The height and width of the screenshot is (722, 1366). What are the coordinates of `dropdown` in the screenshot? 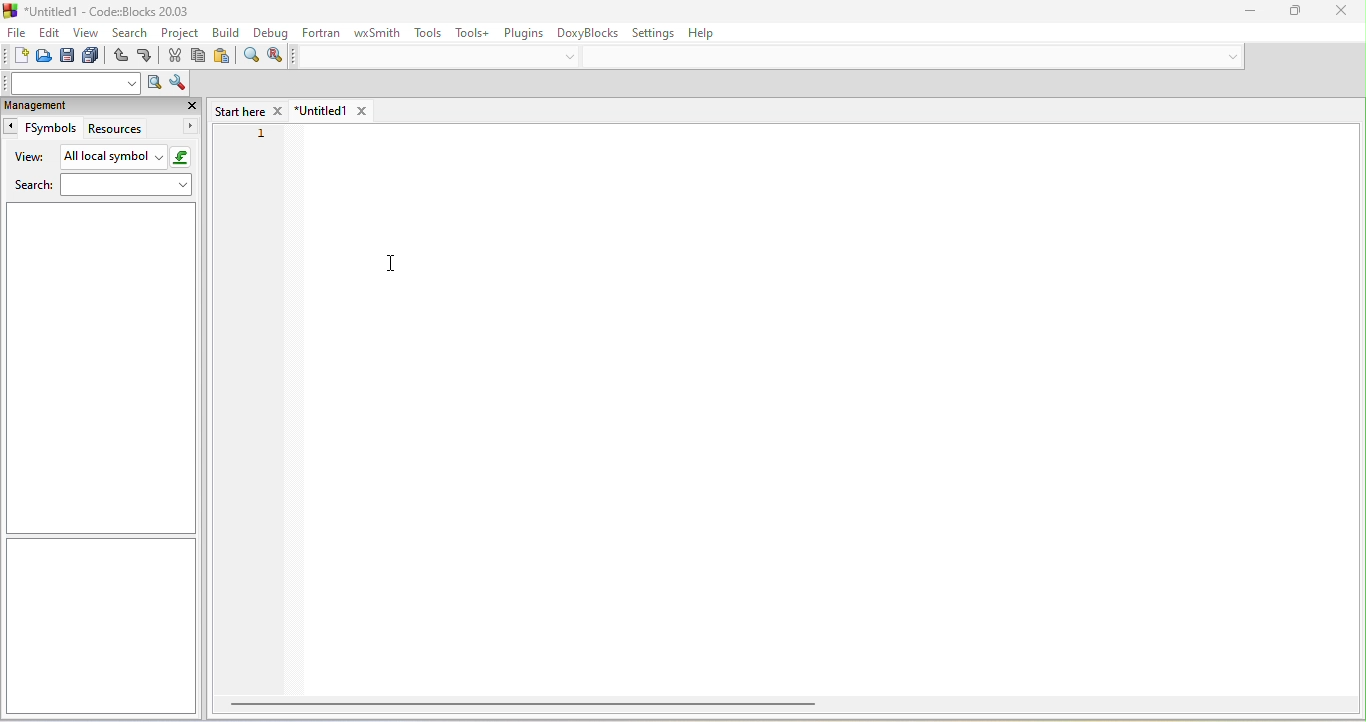 It's located at (1232, 58).